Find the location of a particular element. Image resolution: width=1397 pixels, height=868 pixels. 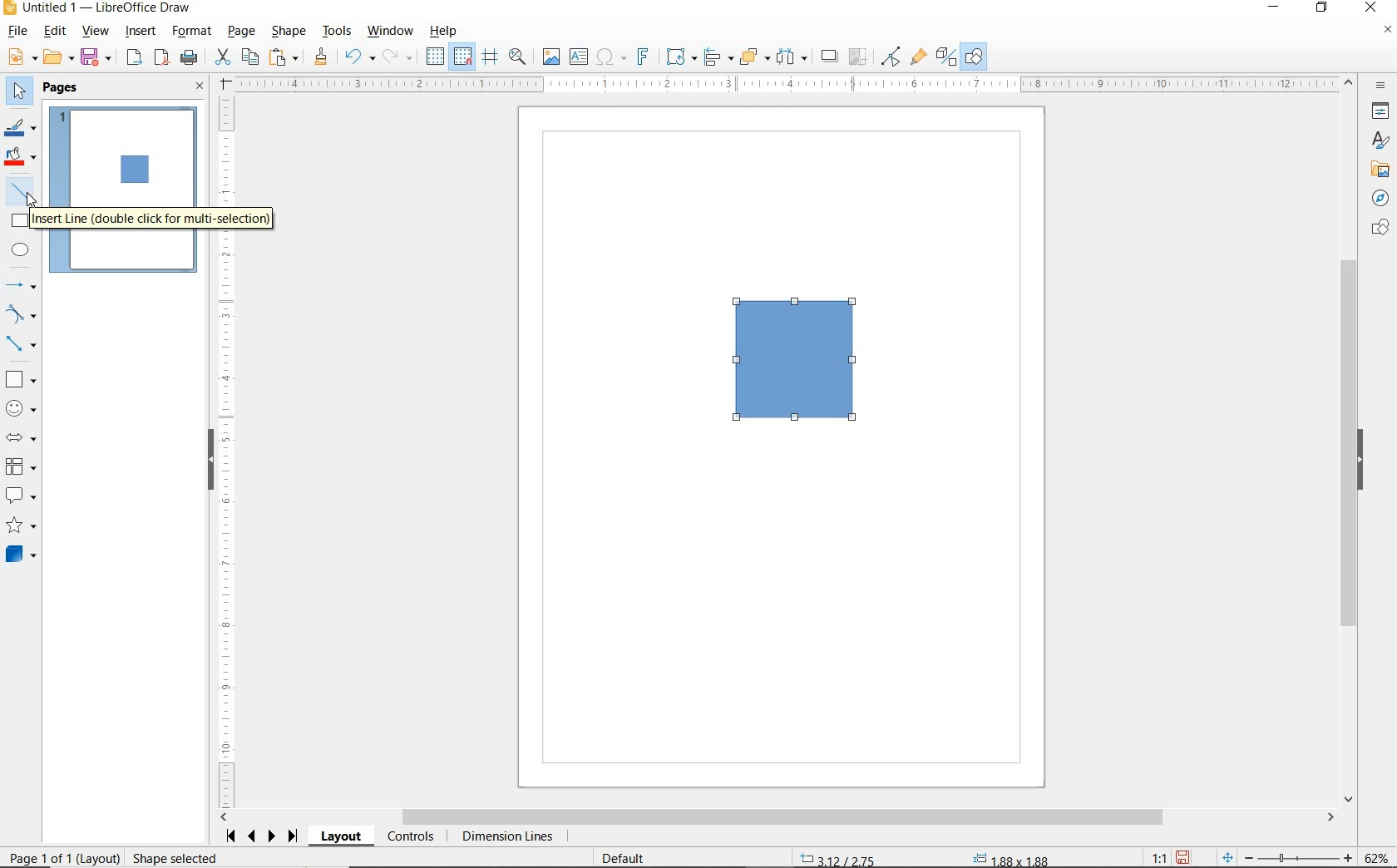

SHADOW is located at coordinates (830, 57).